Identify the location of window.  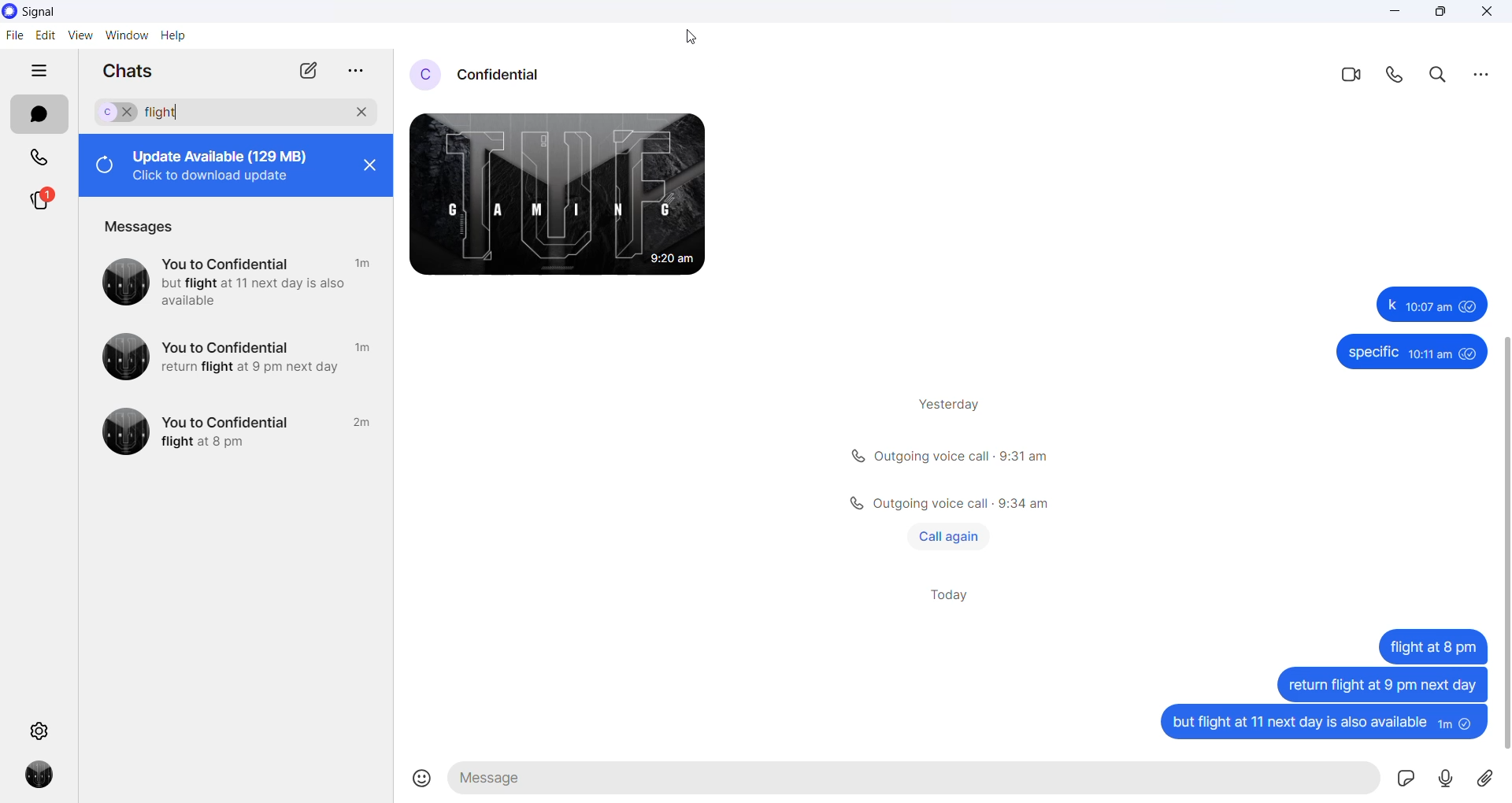
(127, 37).